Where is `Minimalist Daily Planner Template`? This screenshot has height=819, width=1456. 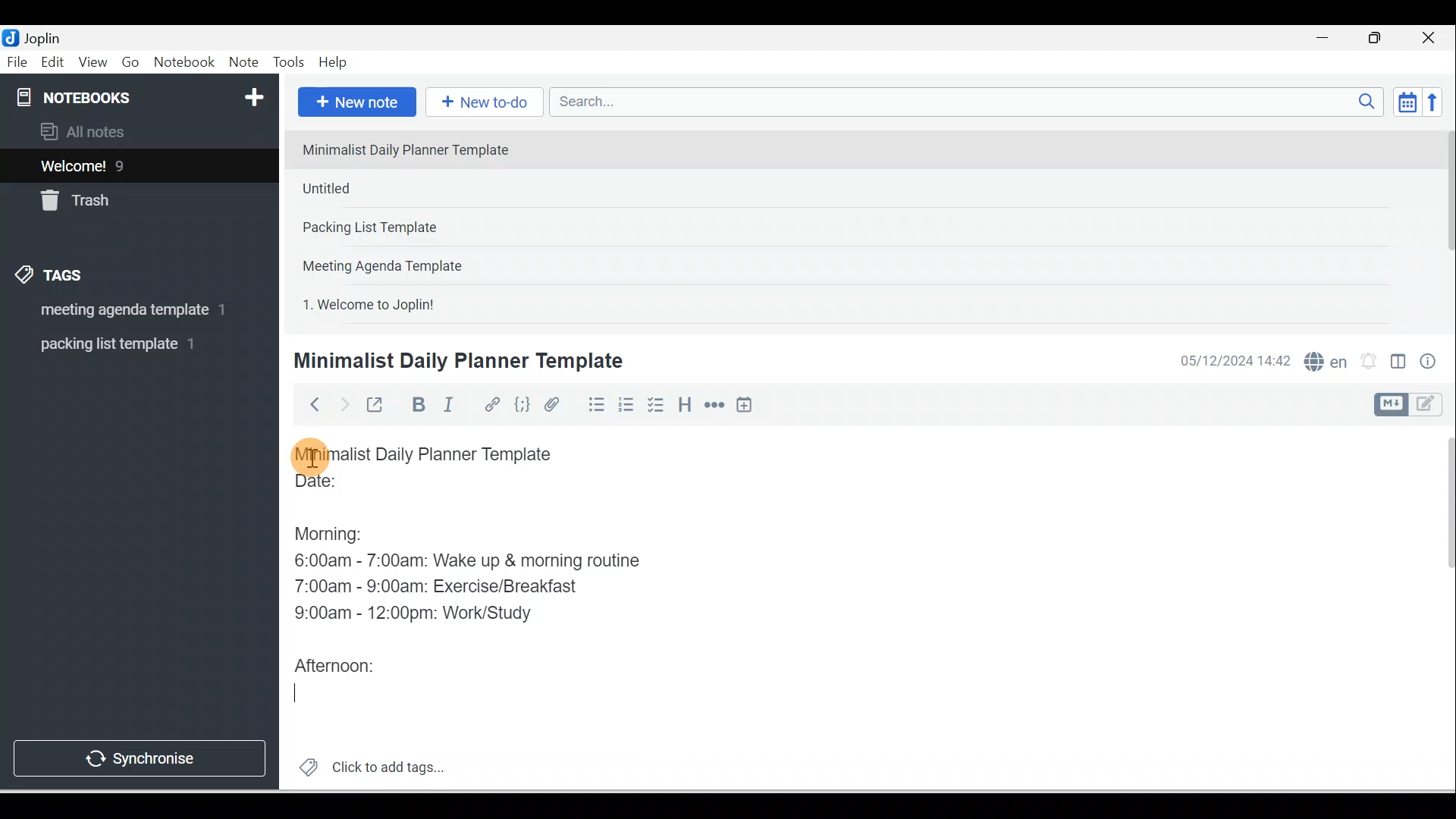 Minimalist Daily Planner Template is located at coordinates (438, 454).